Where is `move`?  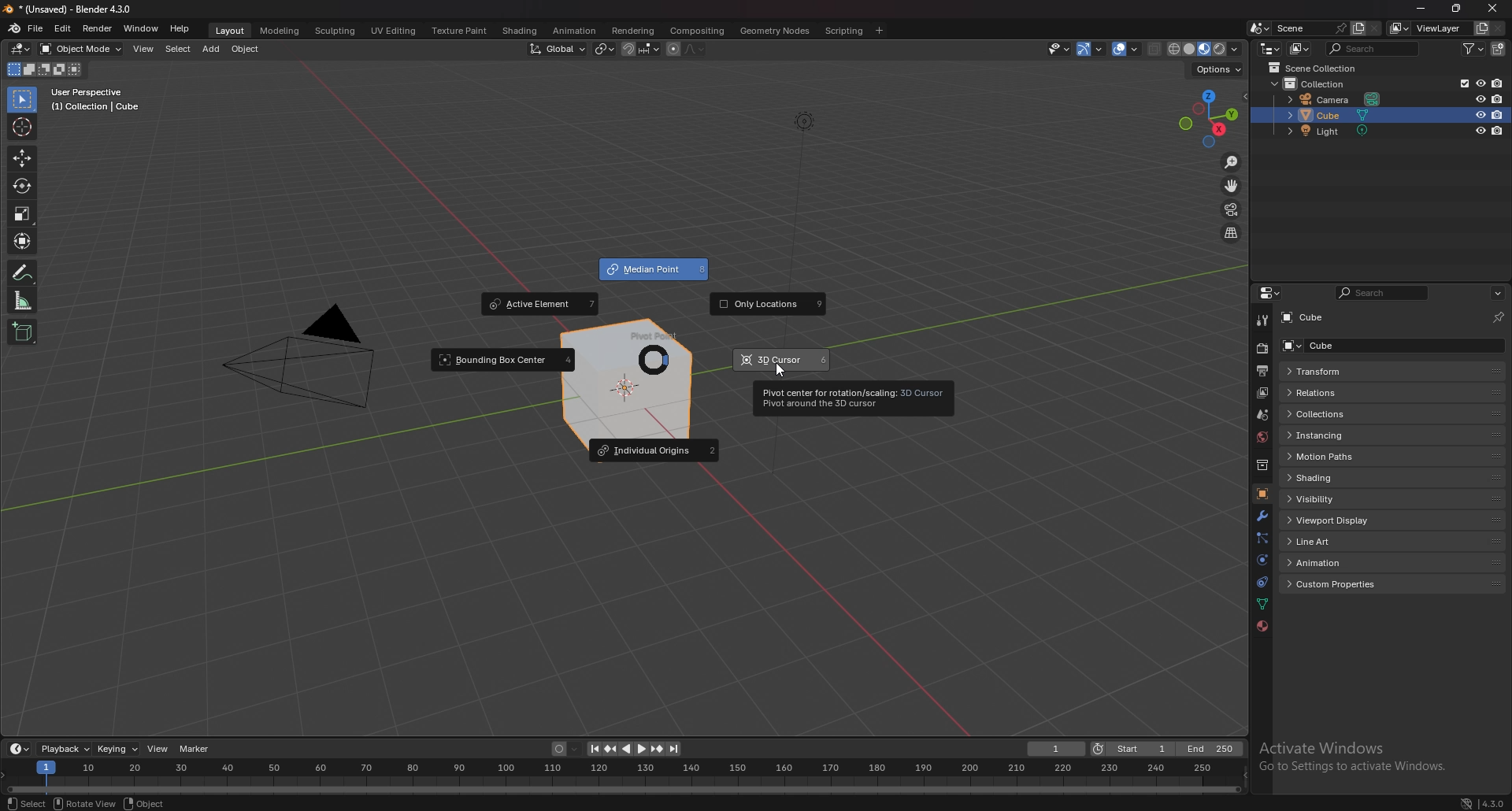
move is located at coordinates (1231, 187).